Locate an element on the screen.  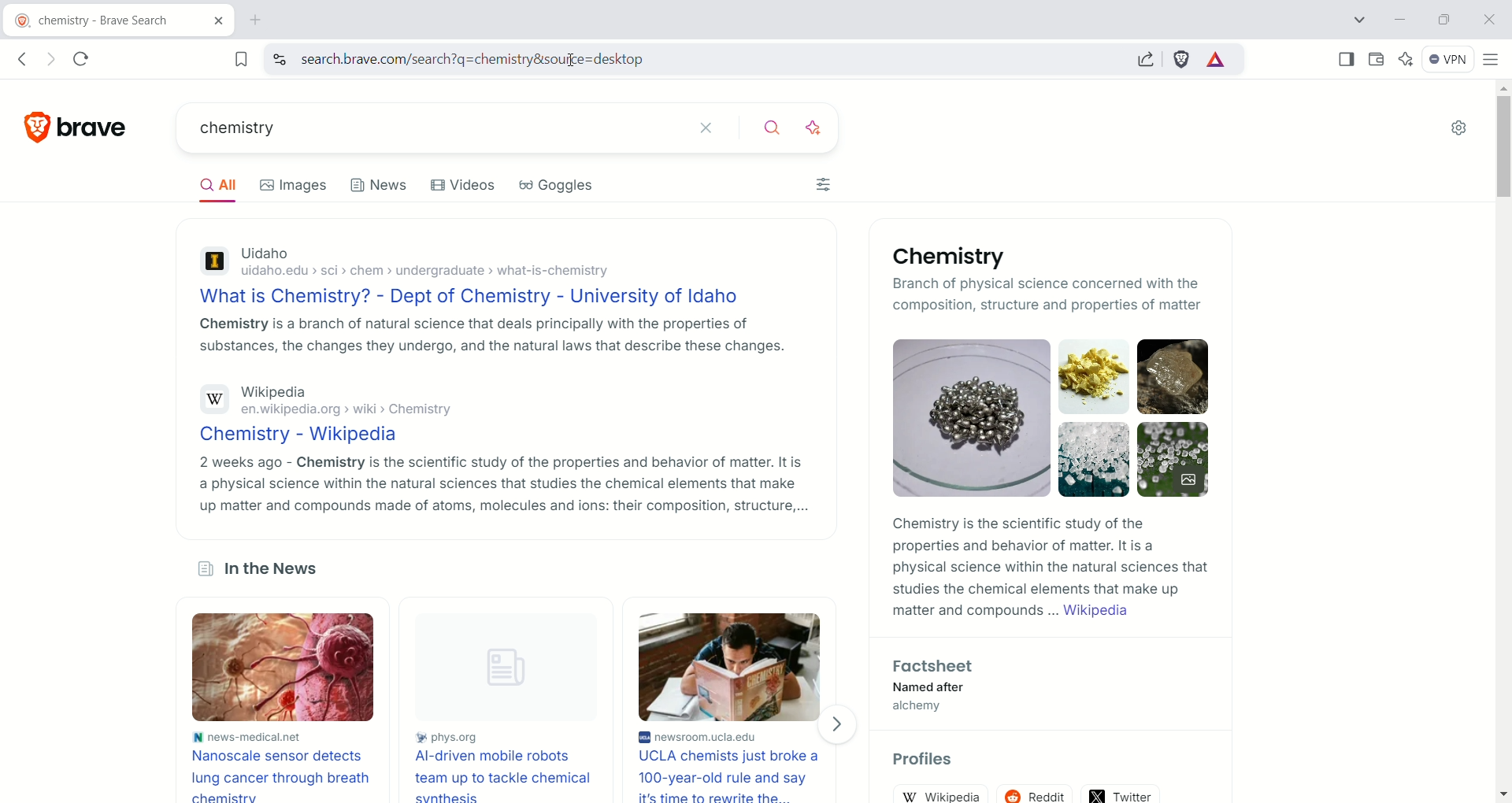
alchemy is located at coordinates (930, 707).